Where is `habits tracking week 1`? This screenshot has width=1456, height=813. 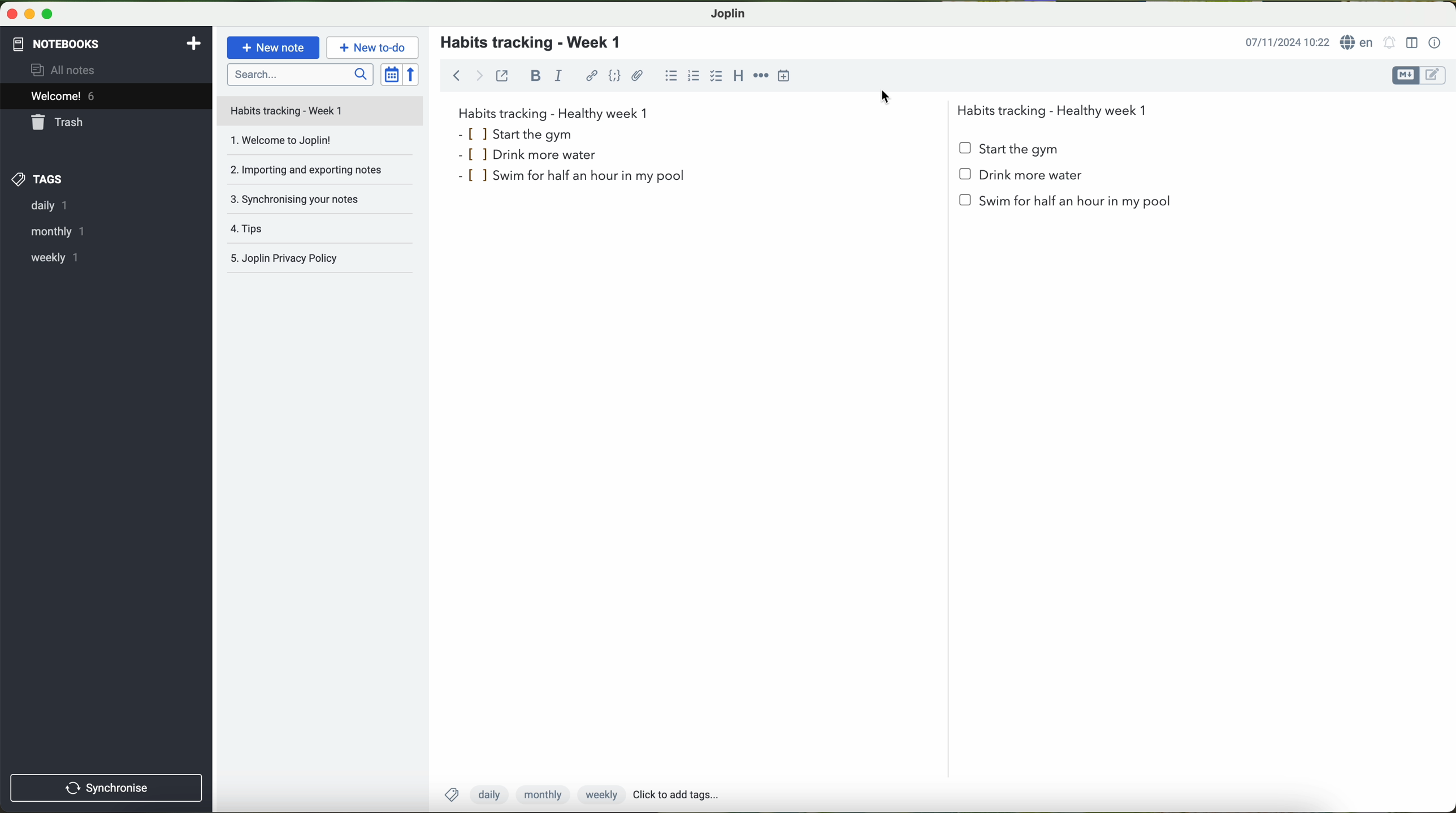
habits tracking week 1 is located at coordinates (553, 112).